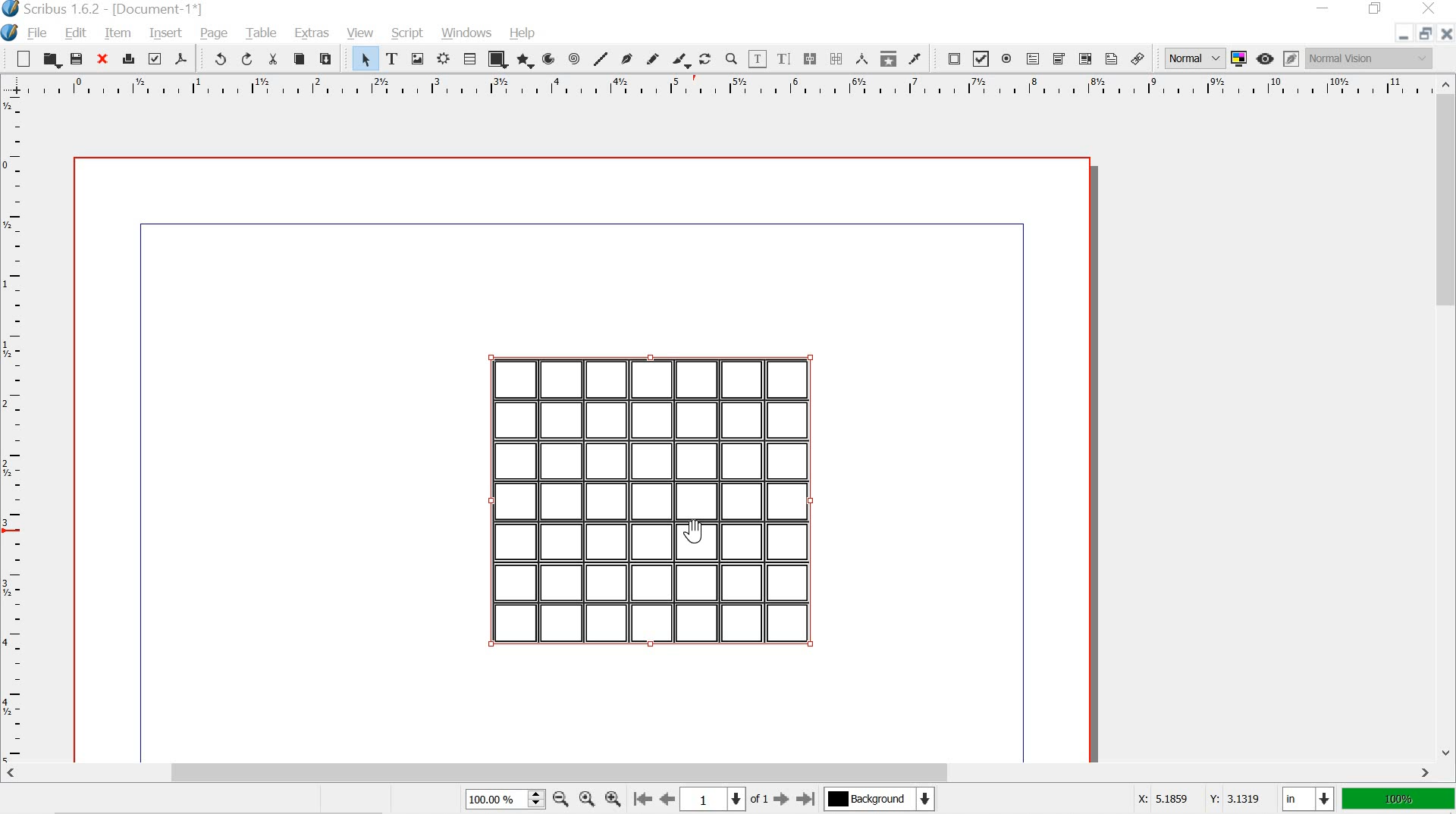 This screenshot has width=1456, height=814. Describe the element at coordinates (217, 58) in the screenshot. I see `undo` at that location.